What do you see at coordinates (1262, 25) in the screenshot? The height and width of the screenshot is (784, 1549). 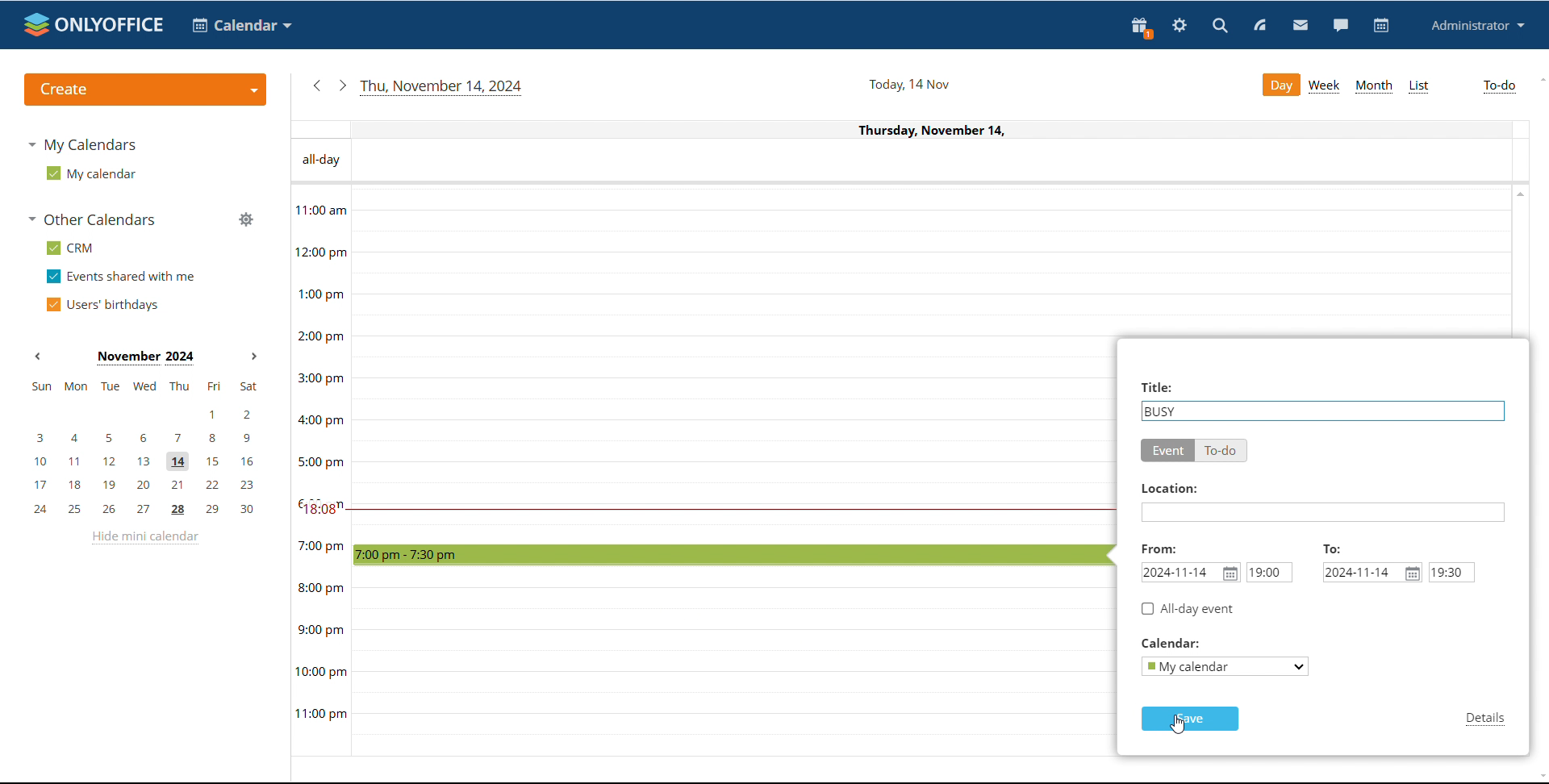 I see `feed` at bounding box center [1262, 25].